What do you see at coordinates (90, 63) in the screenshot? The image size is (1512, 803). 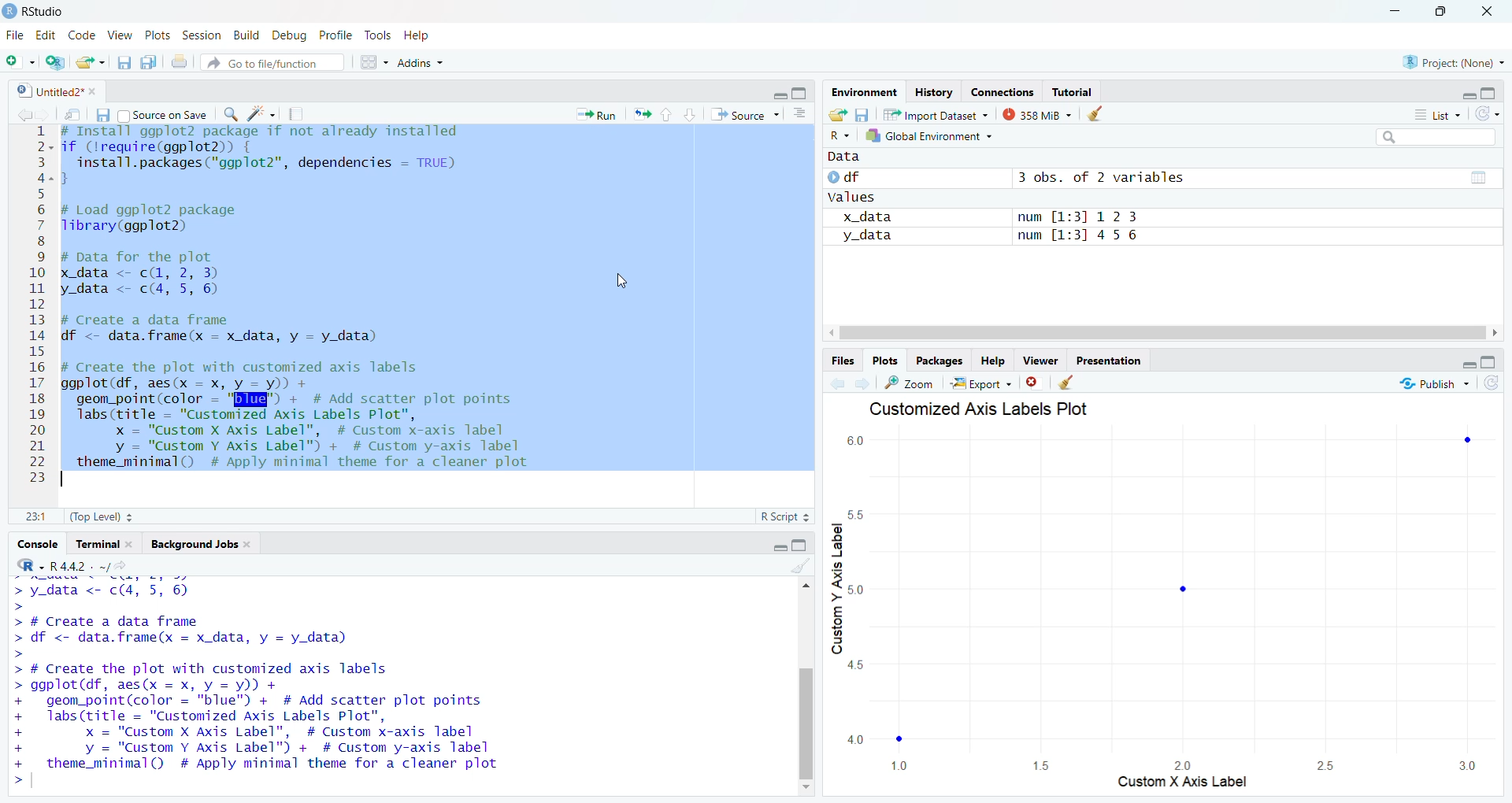 I see `export` at bounding box center [90, 63].